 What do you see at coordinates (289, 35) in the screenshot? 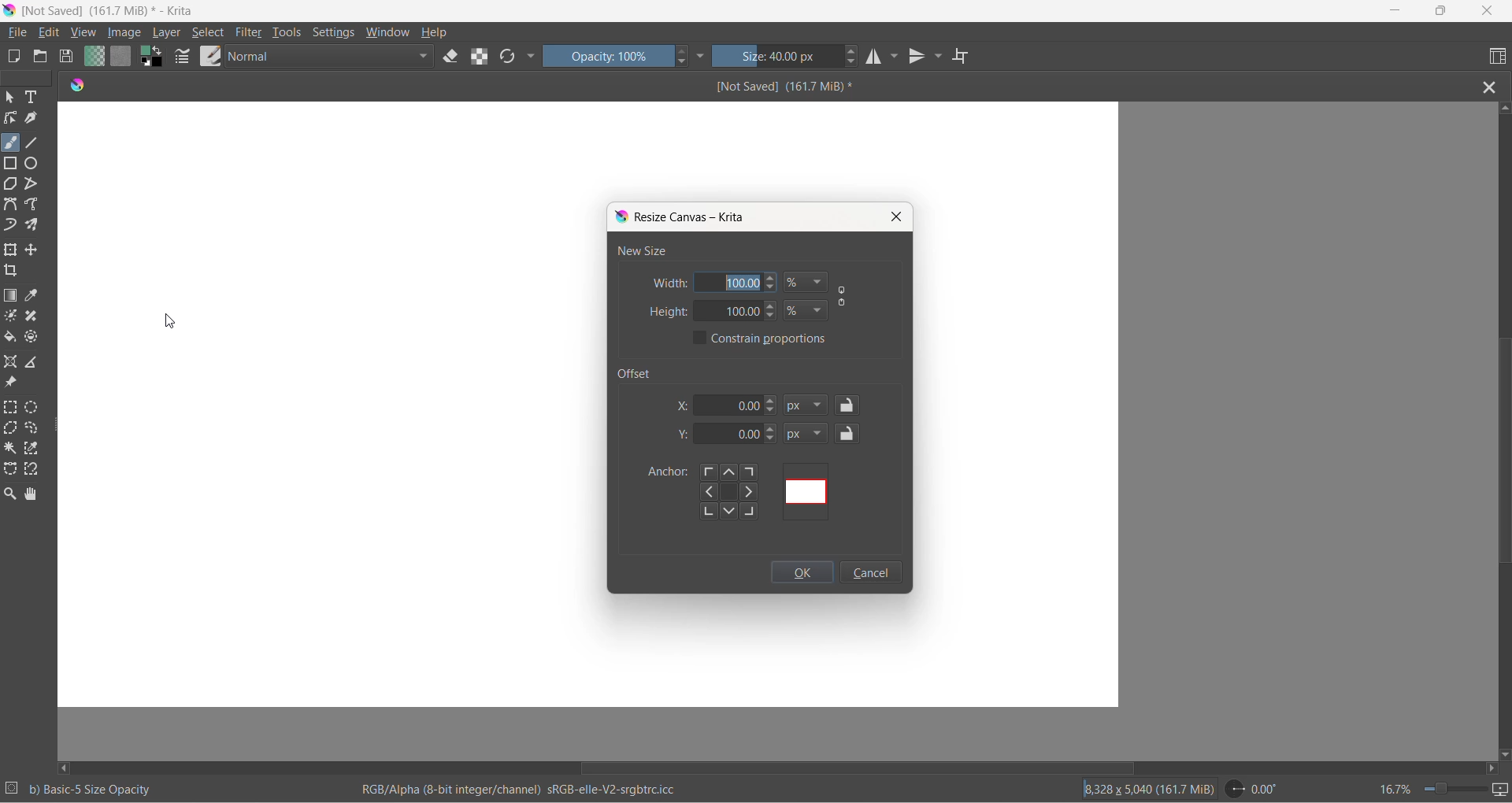
I see `tools` at bounding box center [289, 35].